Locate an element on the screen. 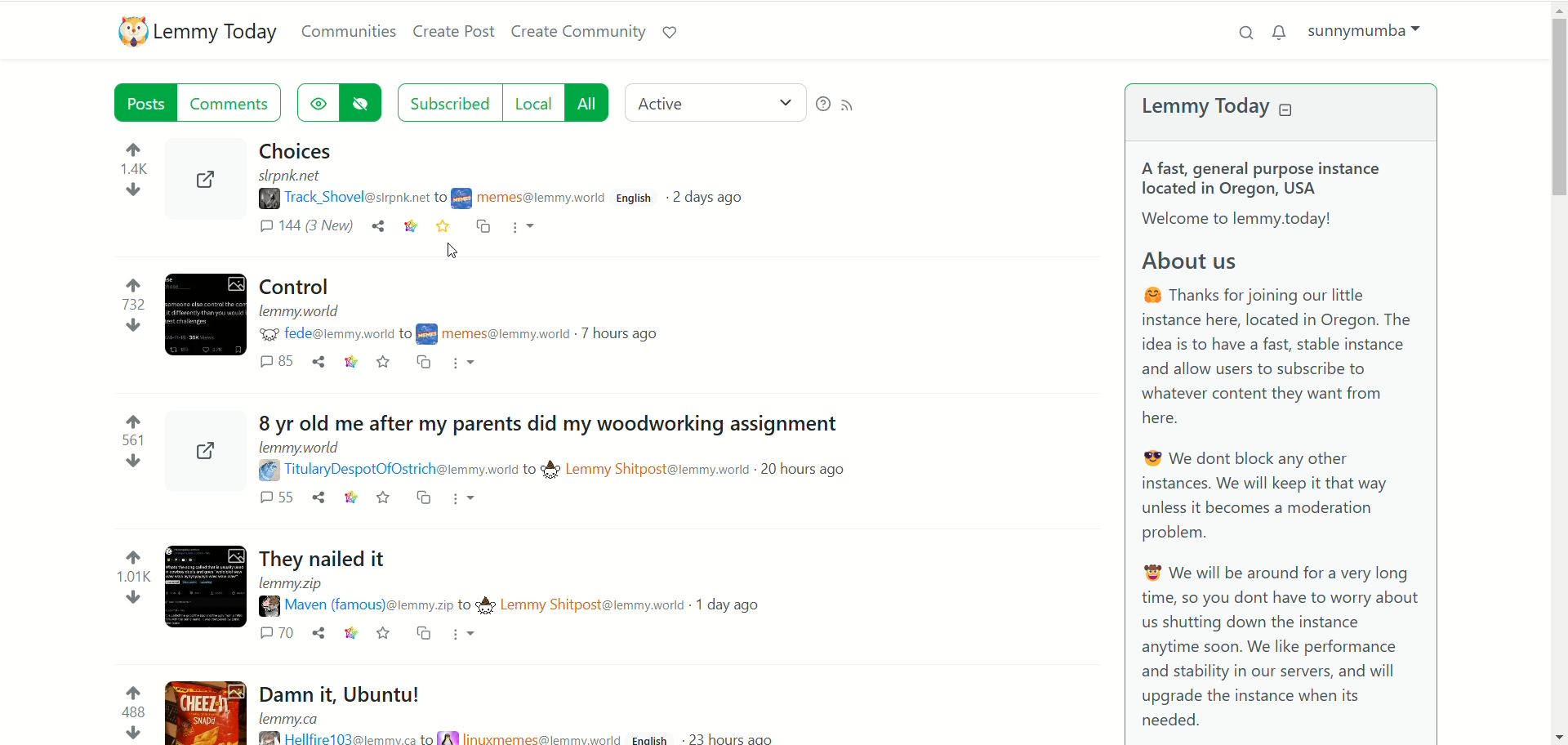 The width and height of the screenshot is (1568, 745). Poster details is located at coordinates (493, 470).